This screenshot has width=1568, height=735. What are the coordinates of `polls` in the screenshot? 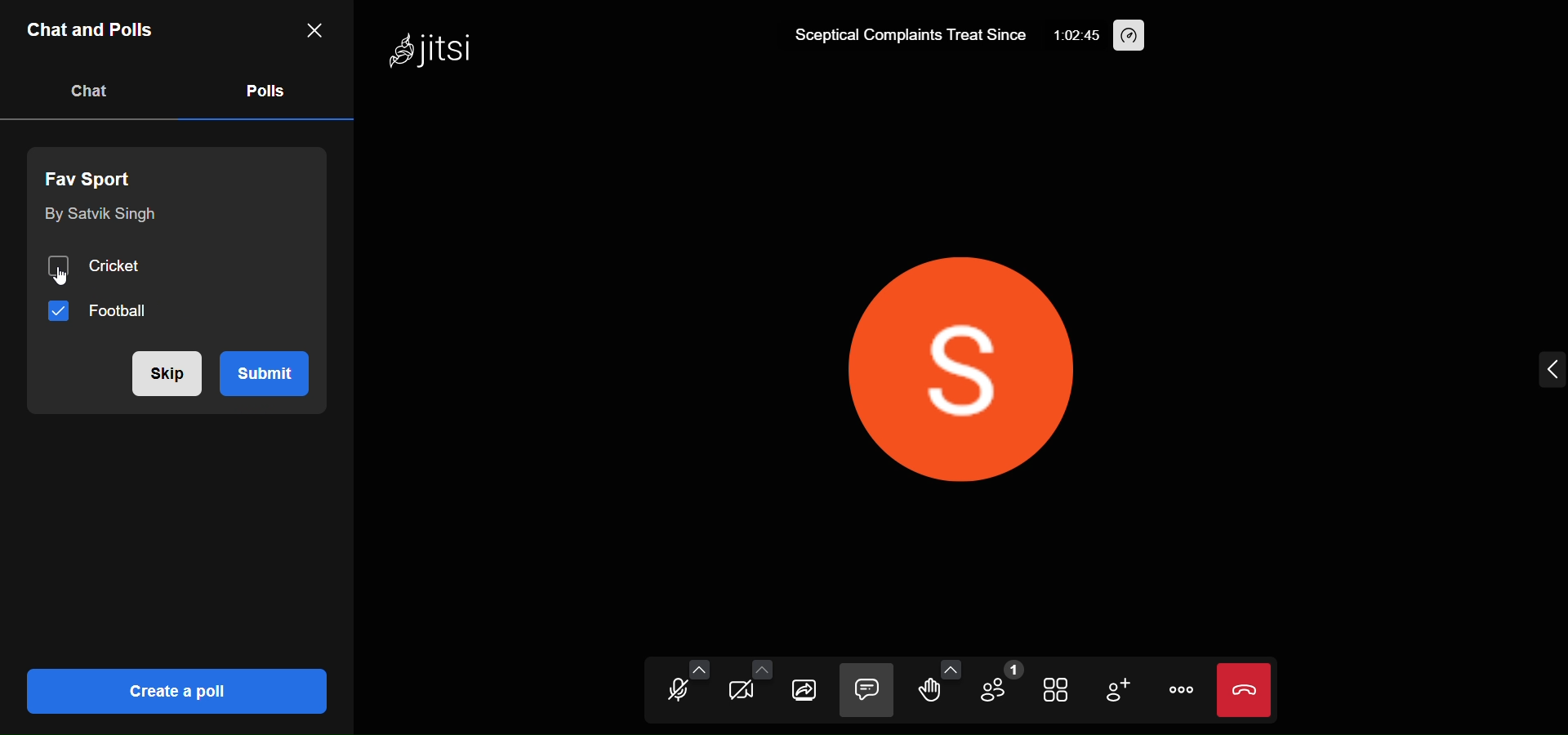 It's located at (263, 89).